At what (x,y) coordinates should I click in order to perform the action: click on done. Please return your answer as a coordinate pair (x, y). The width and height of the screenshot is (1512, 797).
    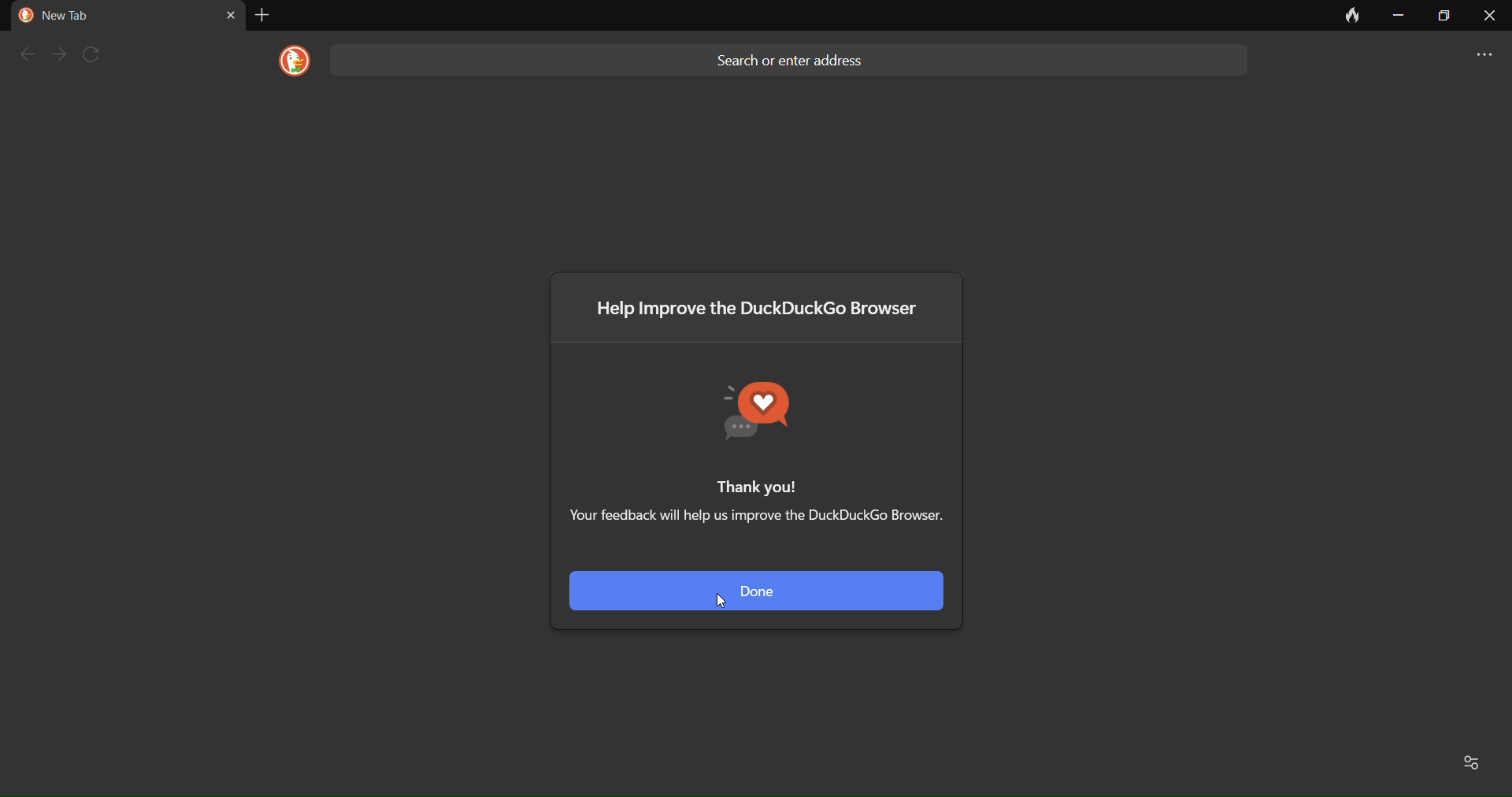
    Looking at the image, I should click on (757, 592).